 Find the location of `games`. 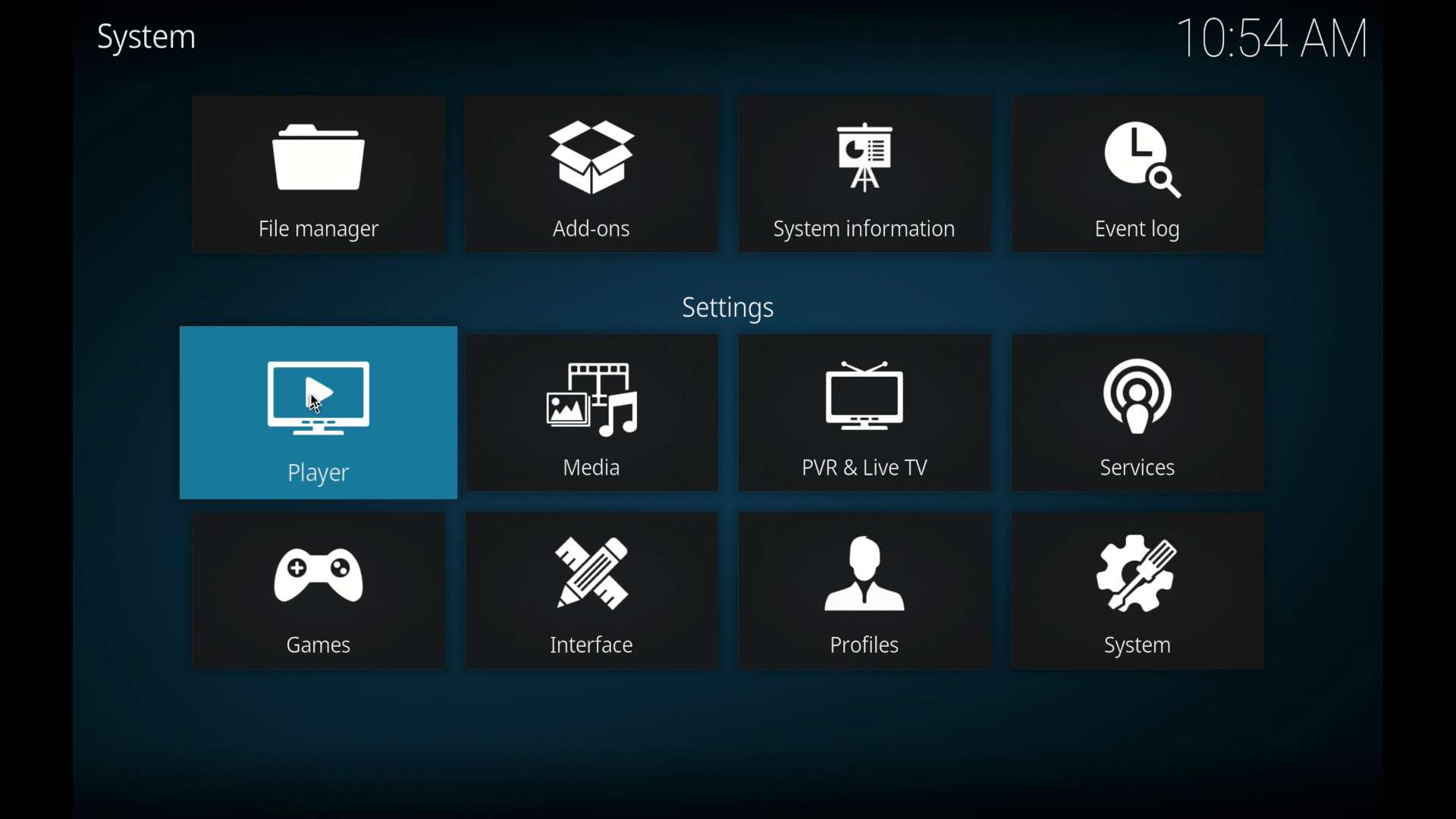

games is located at coordinates (320, 591).